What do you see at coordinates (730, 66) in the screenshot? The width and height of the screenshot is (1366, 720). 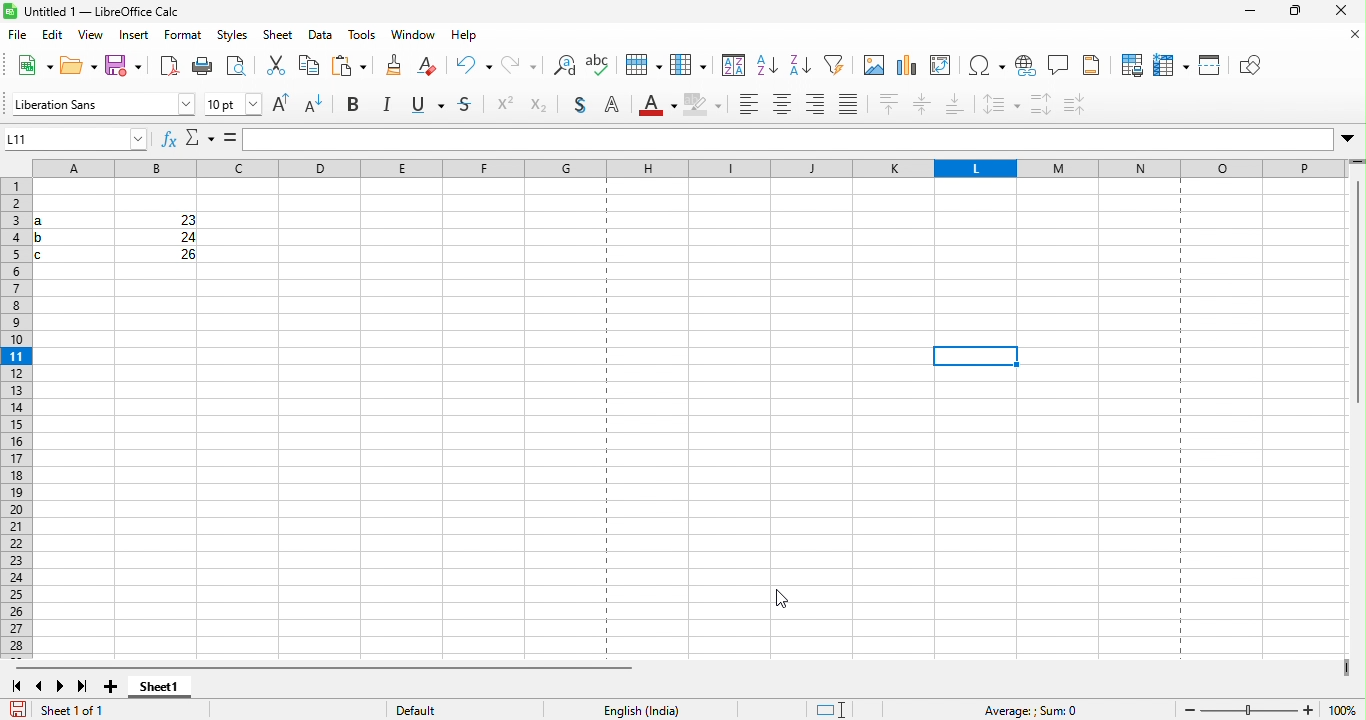 I see `sort ascending` at bounding box center [730, 66].